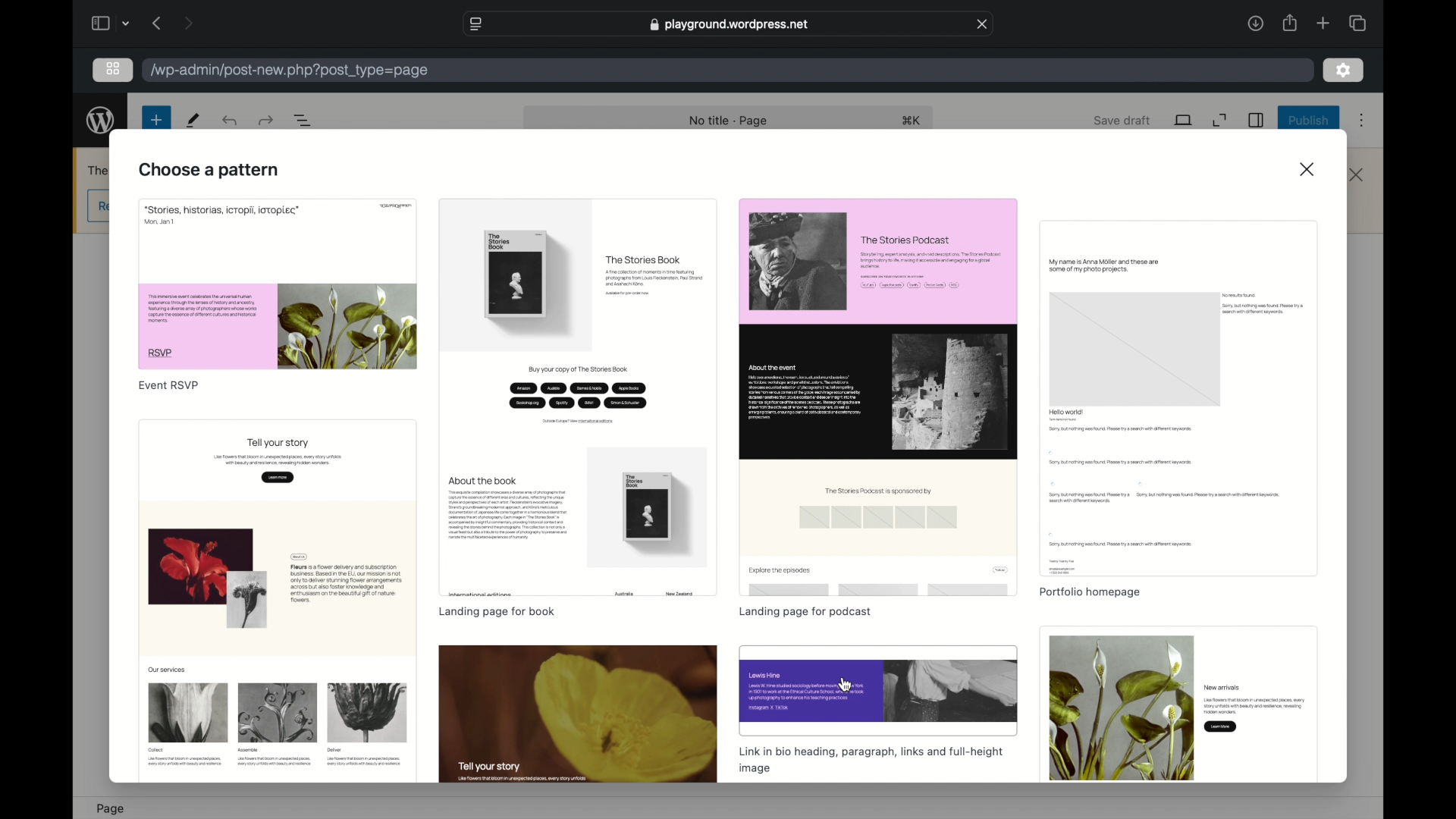 Image resolution: width=1456 pixels, height=819 pixels. What do you see at coordinates (303, 120) in the screenshot?
I see `document overview` at bounding box center [303, 120].